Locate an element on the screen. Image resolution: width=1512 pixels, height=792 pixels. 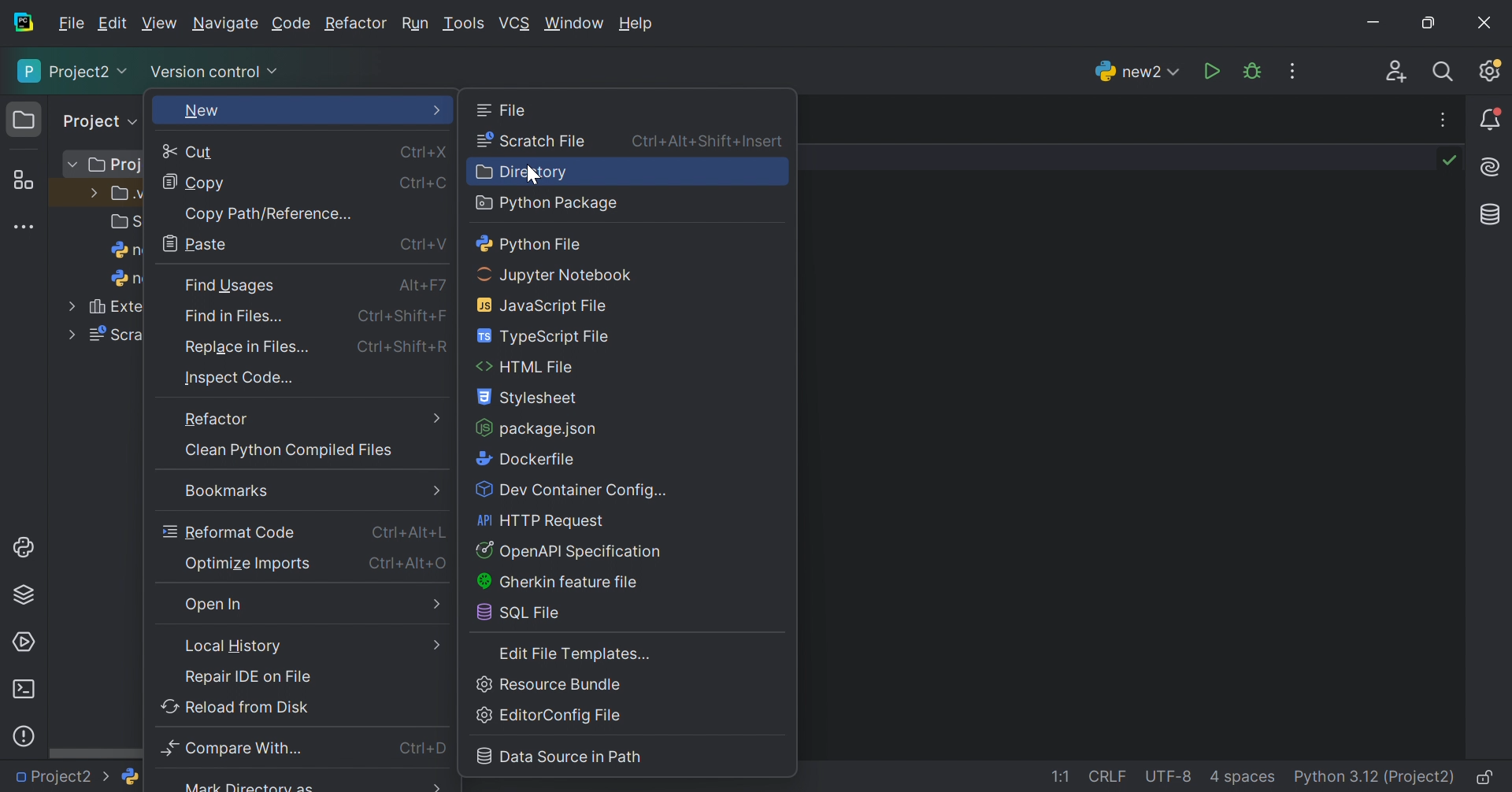
CRLF is located at coordinates (1106, 775).